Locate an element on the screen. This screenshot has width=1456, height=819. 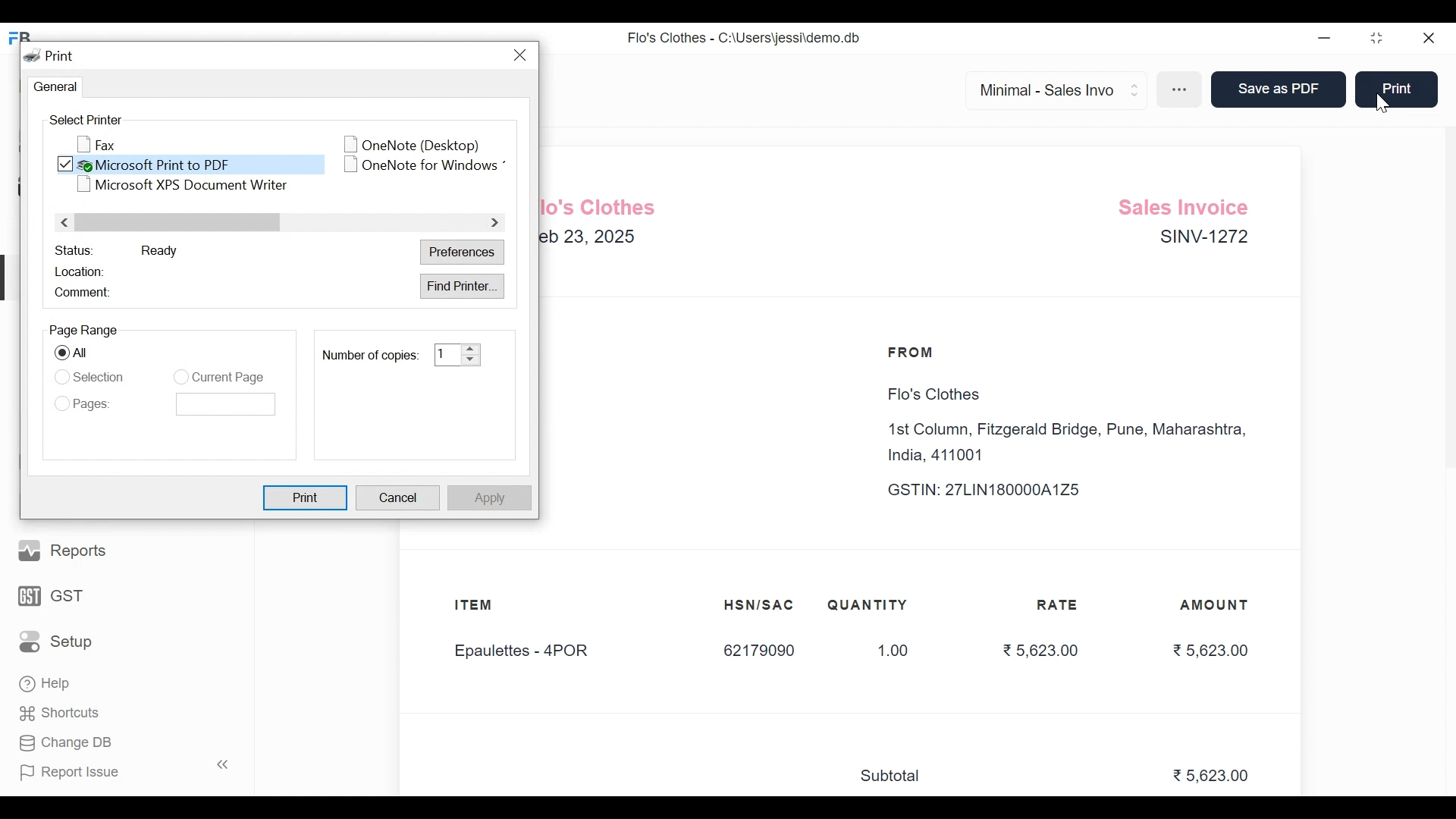
OneNote for Windows * is located at coordinates (426, 165).